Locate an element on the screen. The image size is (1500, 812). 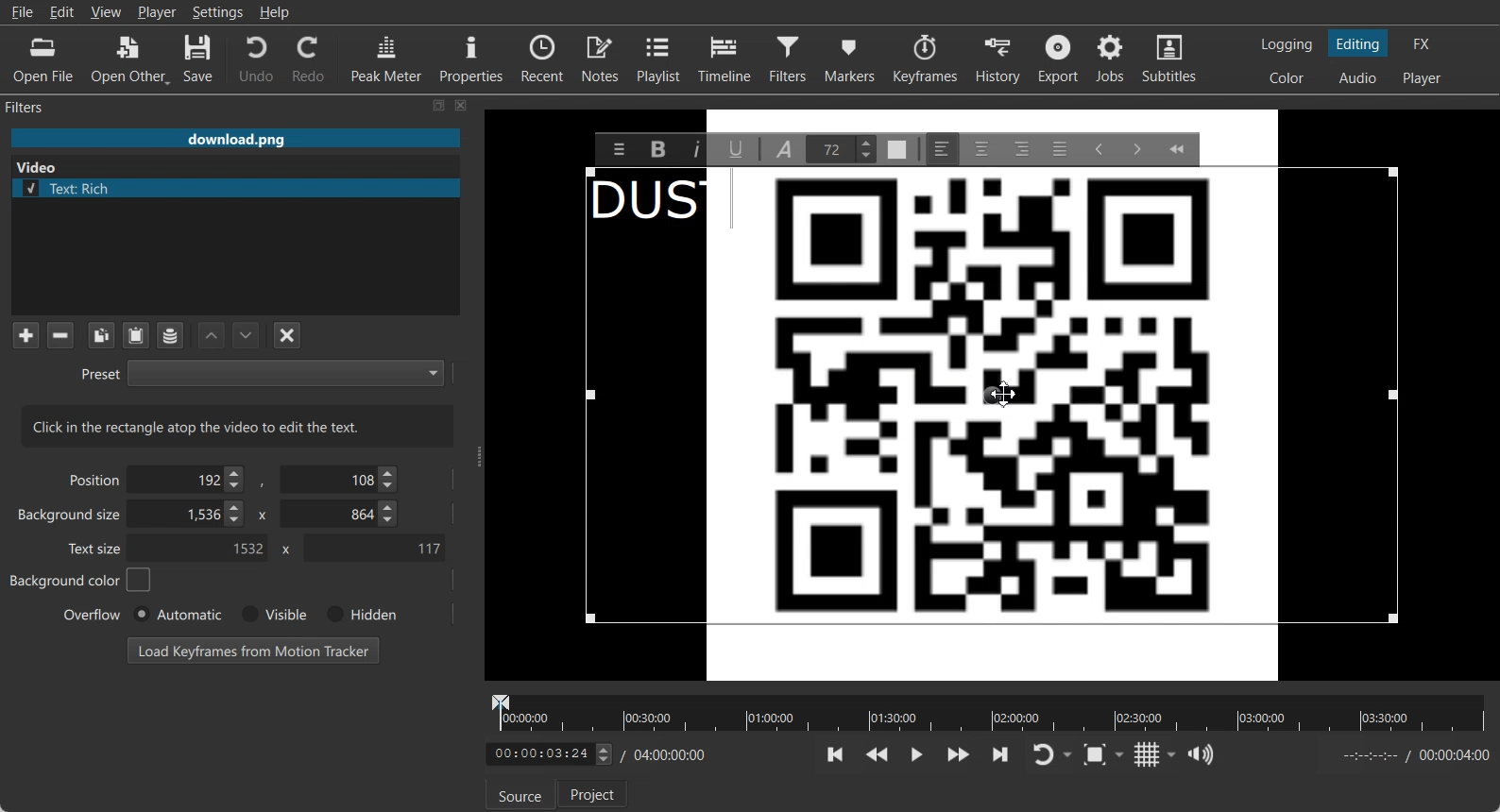
Play Quickly backward is located at coordinates (878, 754).